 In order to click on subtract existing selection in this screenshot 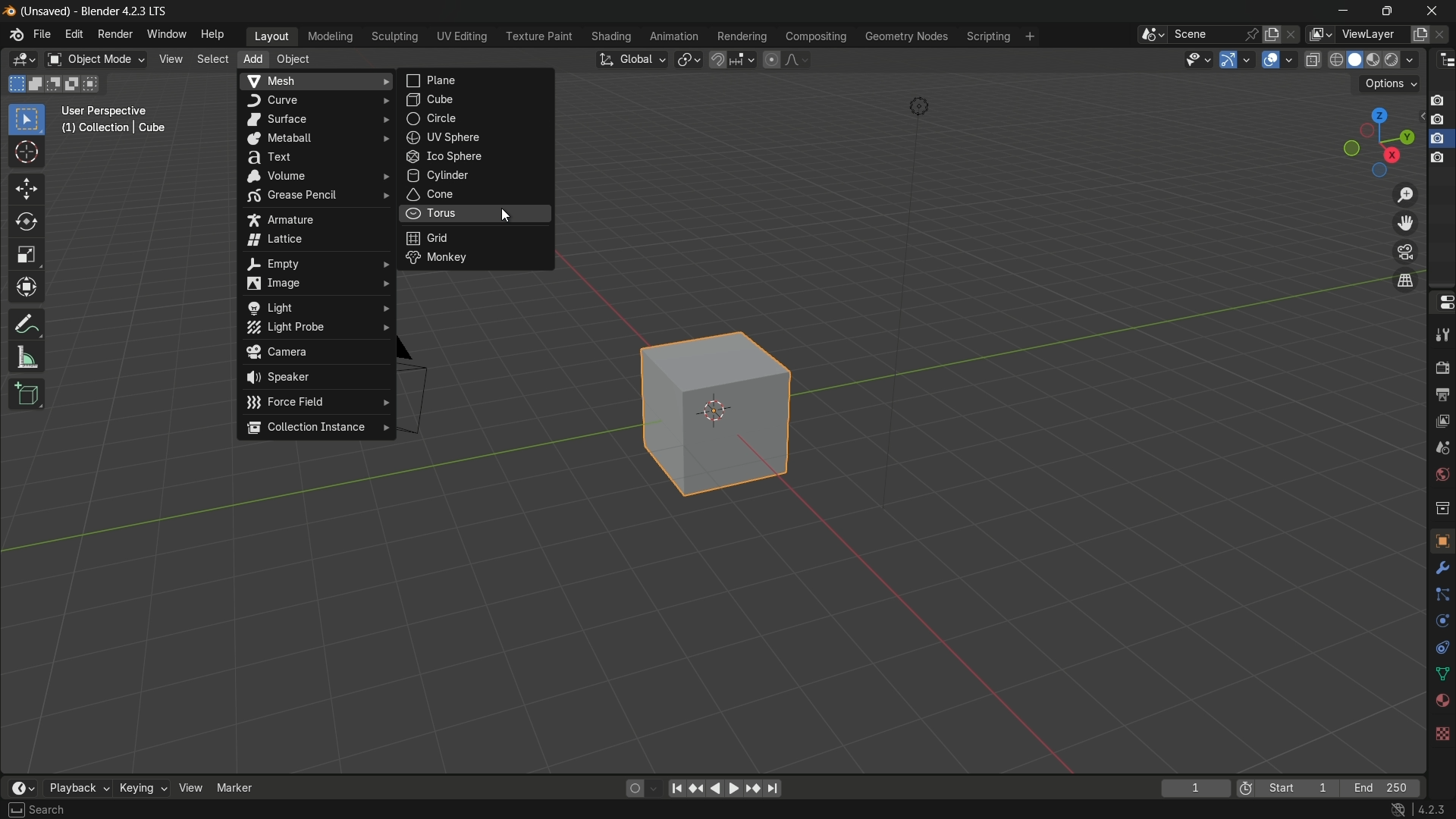, I will do `click(57, 84)`.